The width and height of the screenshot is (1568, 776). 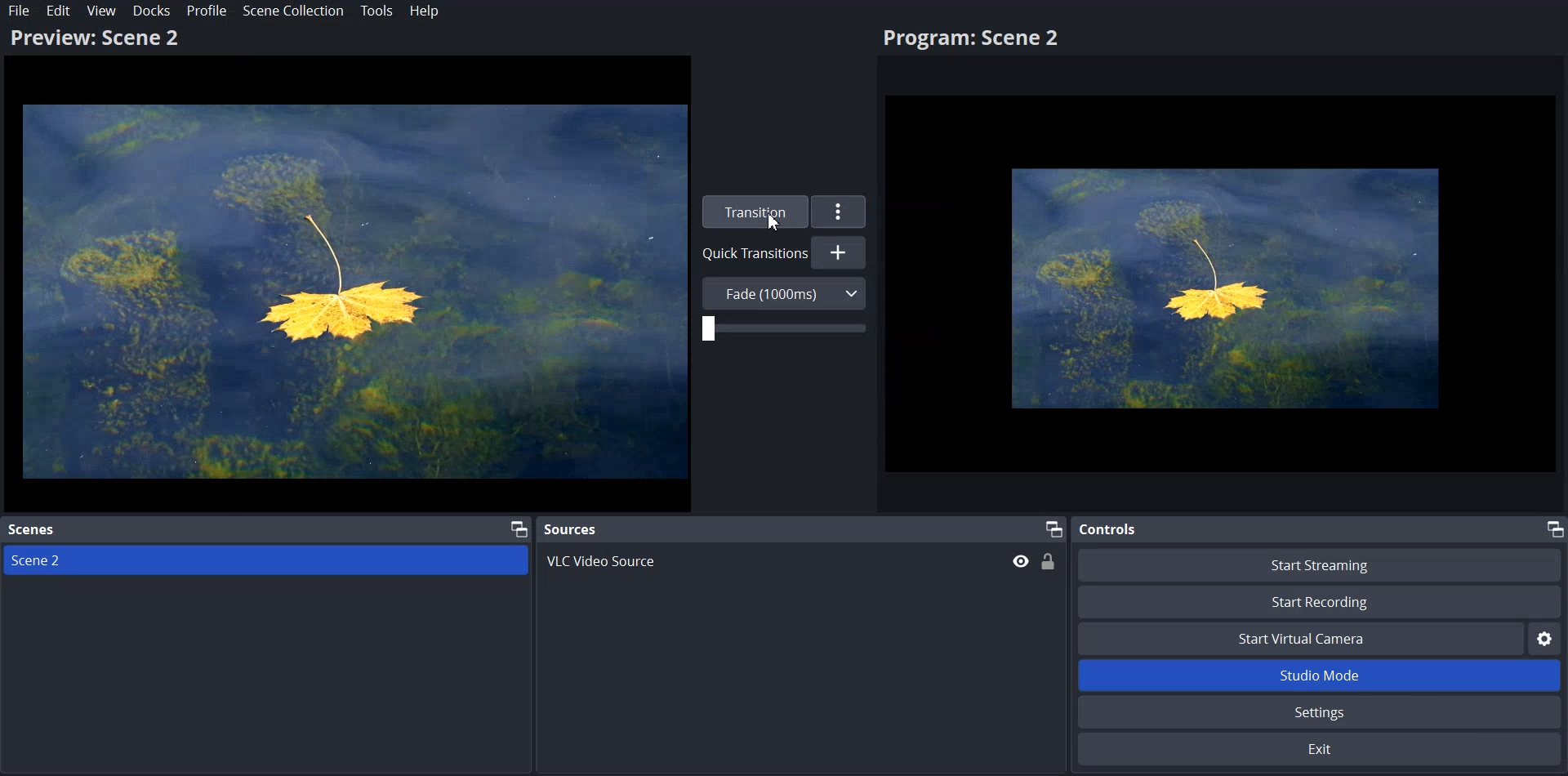 I want to click on Edit, so click(x=58, y=11).